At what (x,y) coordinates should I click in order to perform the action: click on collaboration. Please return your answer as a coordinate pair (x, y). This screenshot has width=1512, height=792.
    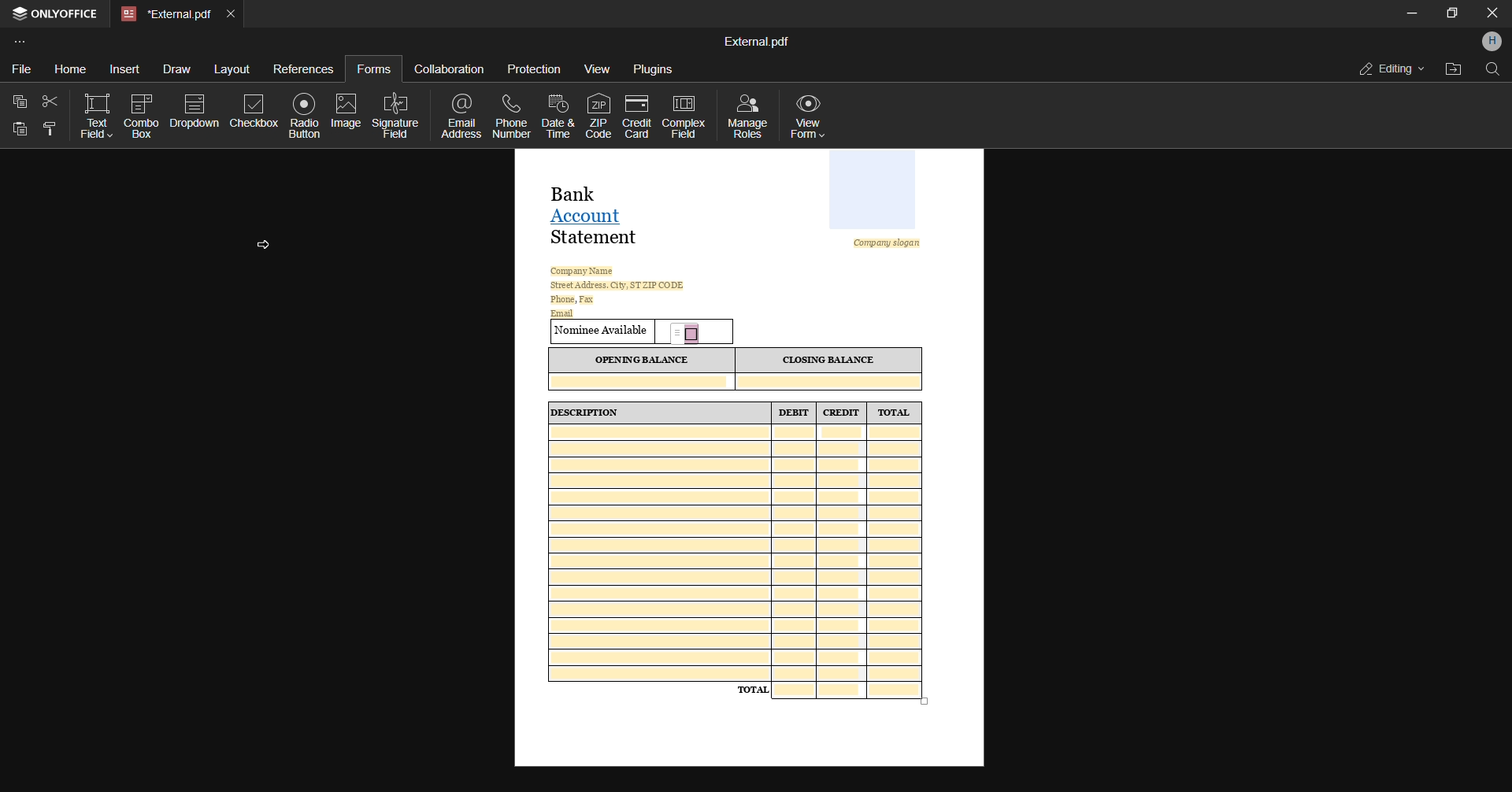
    Looking at the image, I should click on (449, 68).